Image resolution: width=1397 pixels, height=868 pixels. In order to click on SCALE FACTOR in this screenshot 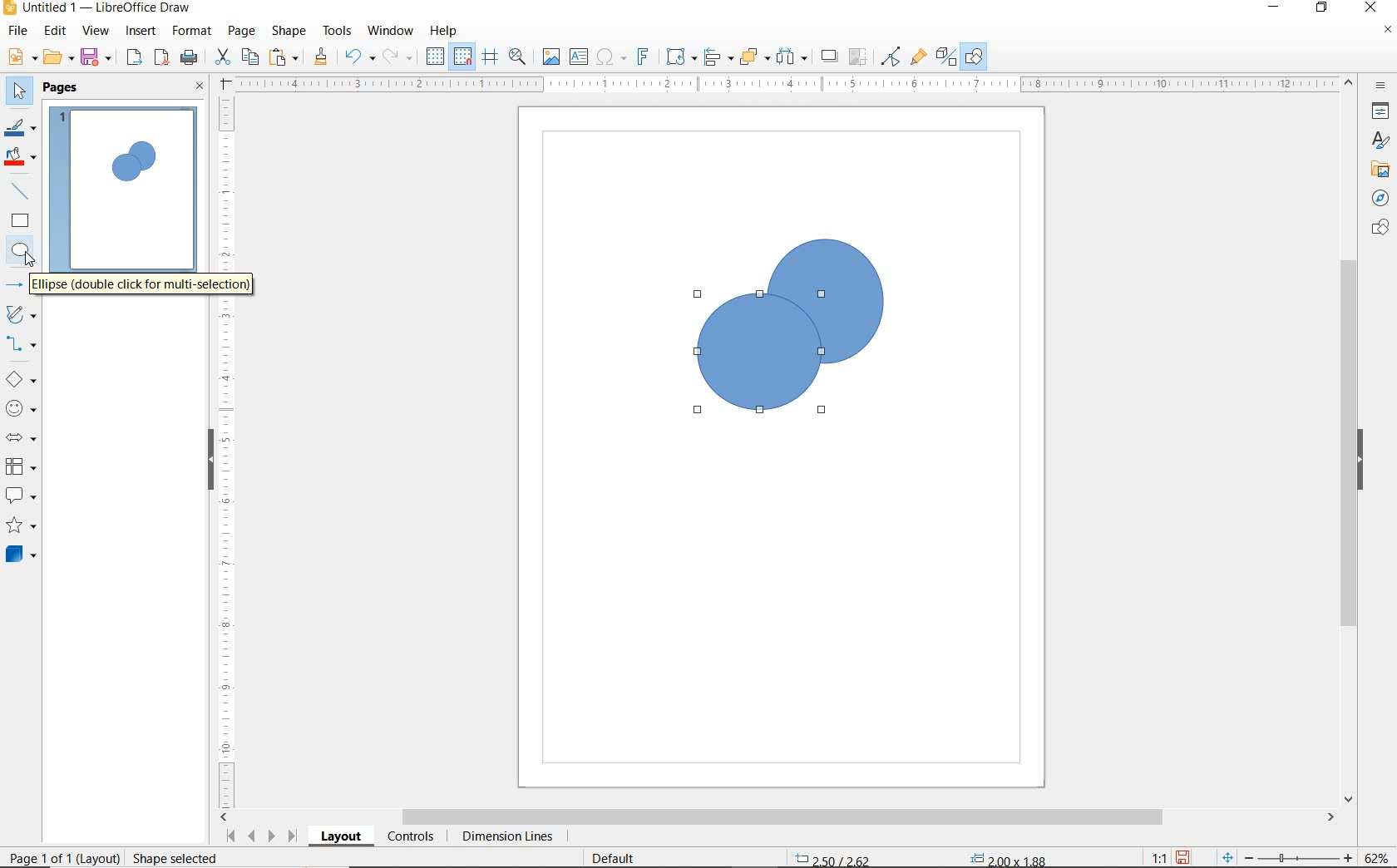, I will do `click(1151, 857)`.